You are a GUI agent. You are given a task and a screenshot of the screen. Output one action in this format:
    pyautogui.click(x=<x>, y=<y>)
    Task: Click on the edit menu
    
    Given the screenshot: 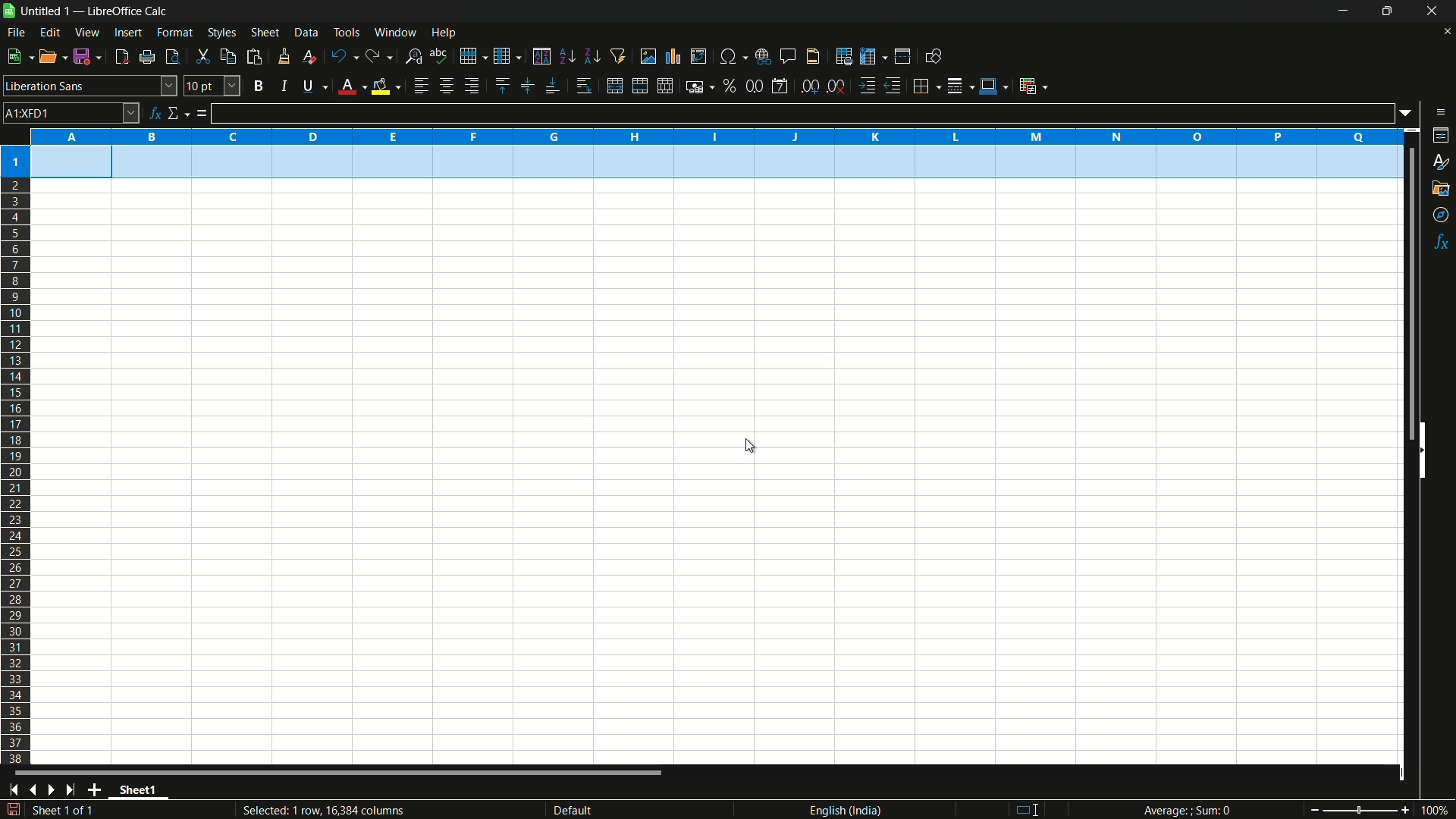 What is the action you would take?
    pyautogui.click(x=50, y=32)
    